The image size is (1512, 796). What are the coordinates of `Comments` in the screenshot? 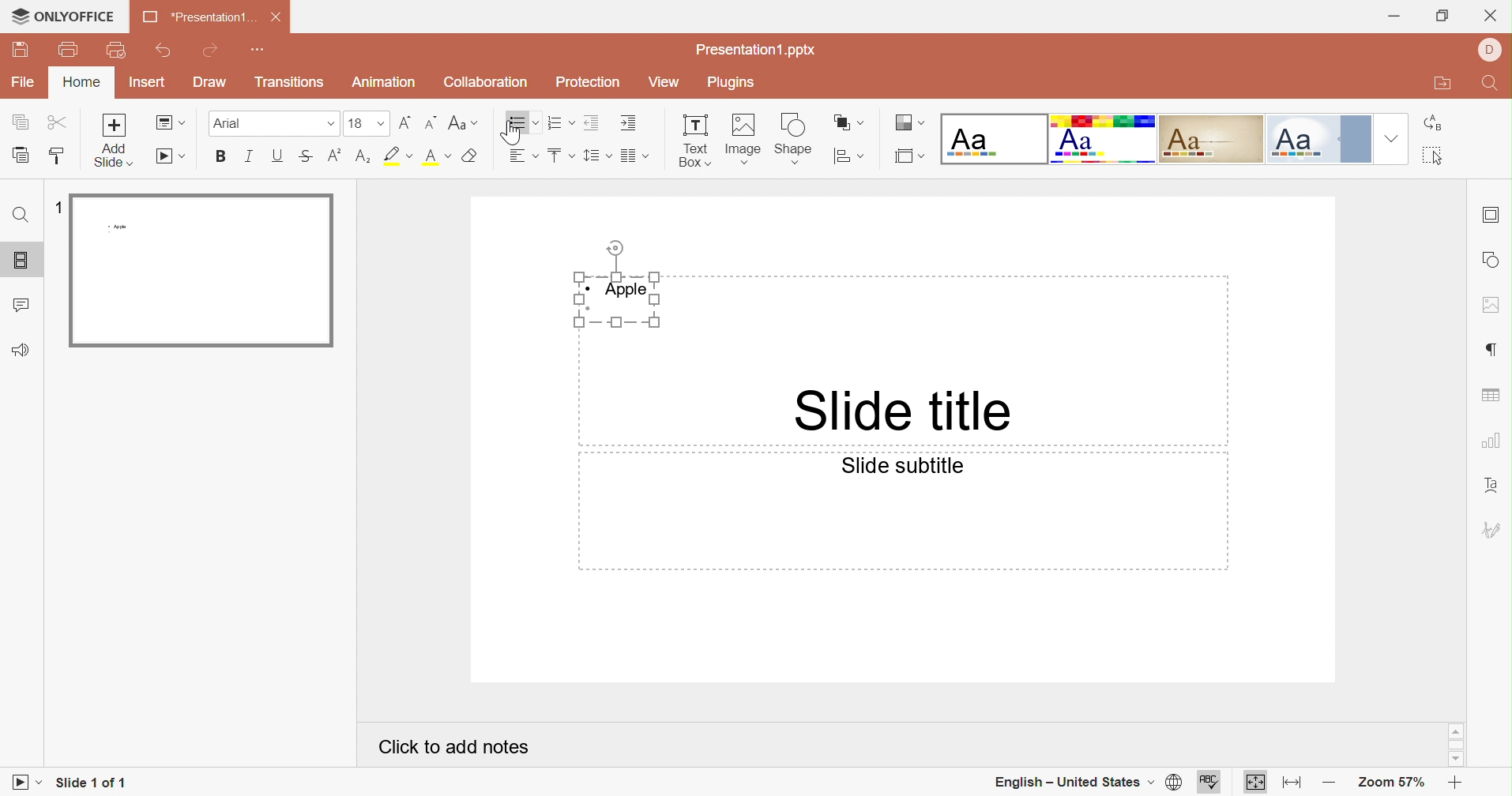 It's located at (22, 306).